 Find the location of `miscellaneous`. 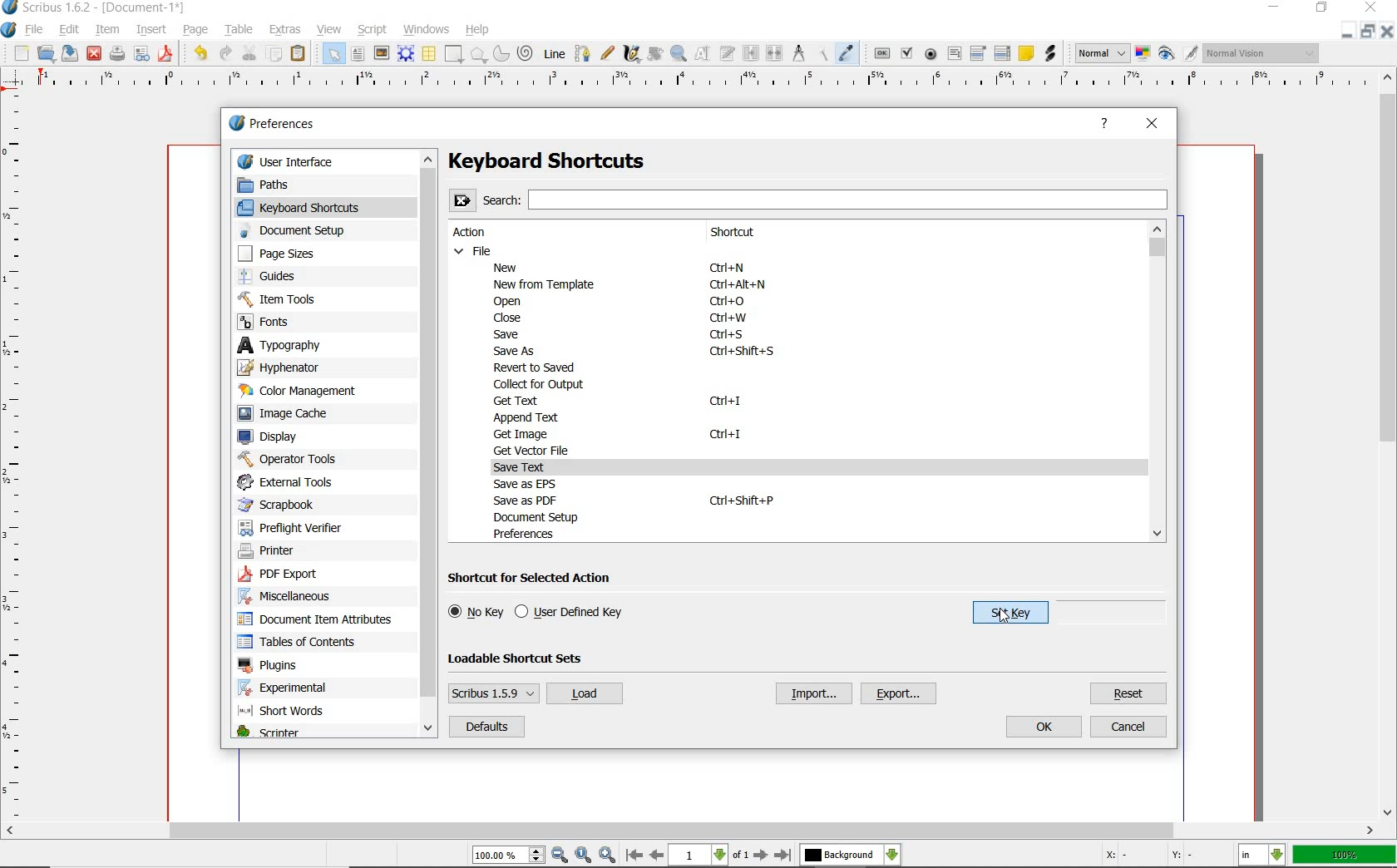

miscellaneous is located at coordinates (292, 599).